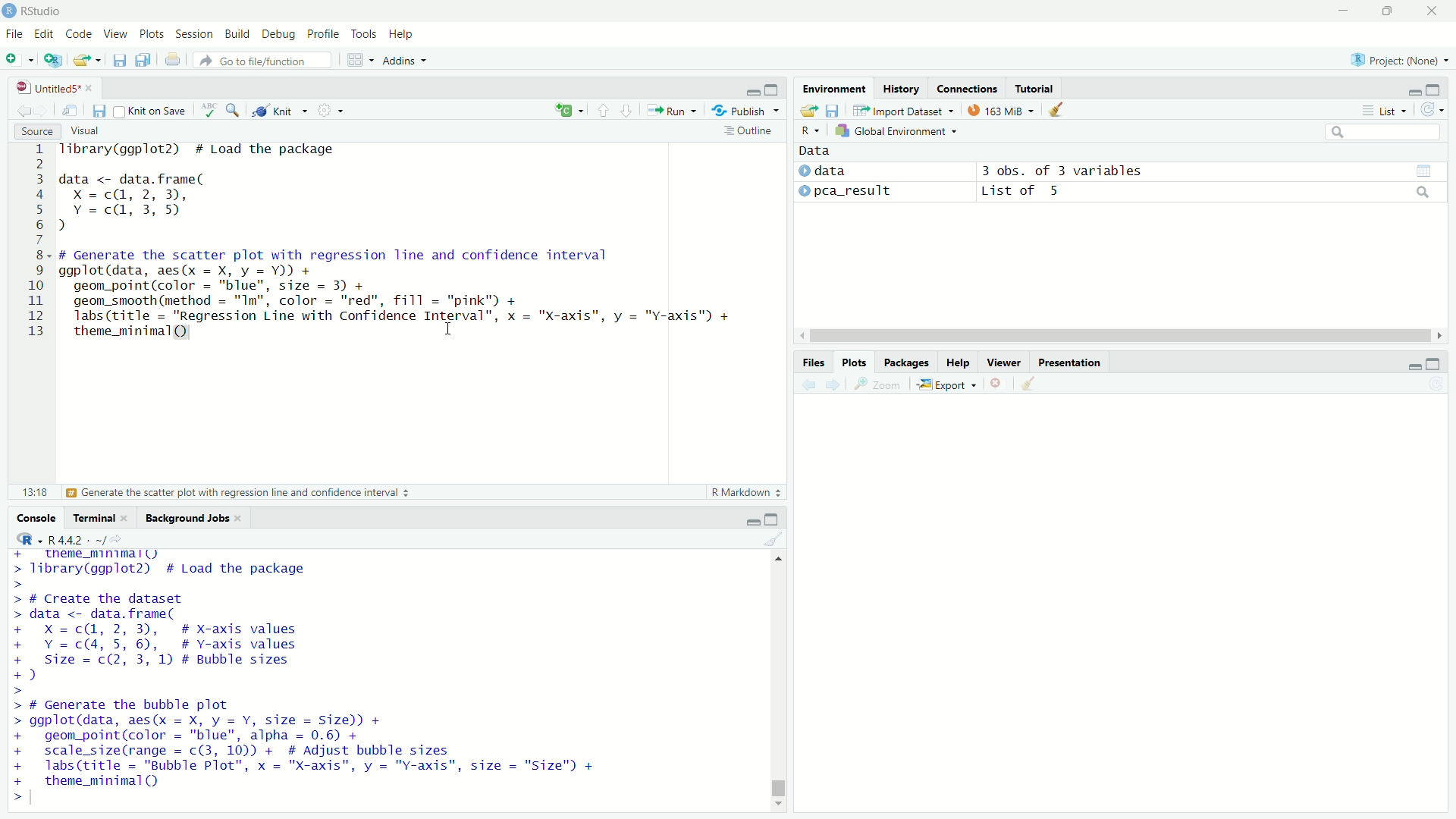 Image resolution: width=1456 pixels, height=819 pixels. What do you see at coordinates (14, 34) in the screenshot?
I see `File` at bounding box center [14, 34].